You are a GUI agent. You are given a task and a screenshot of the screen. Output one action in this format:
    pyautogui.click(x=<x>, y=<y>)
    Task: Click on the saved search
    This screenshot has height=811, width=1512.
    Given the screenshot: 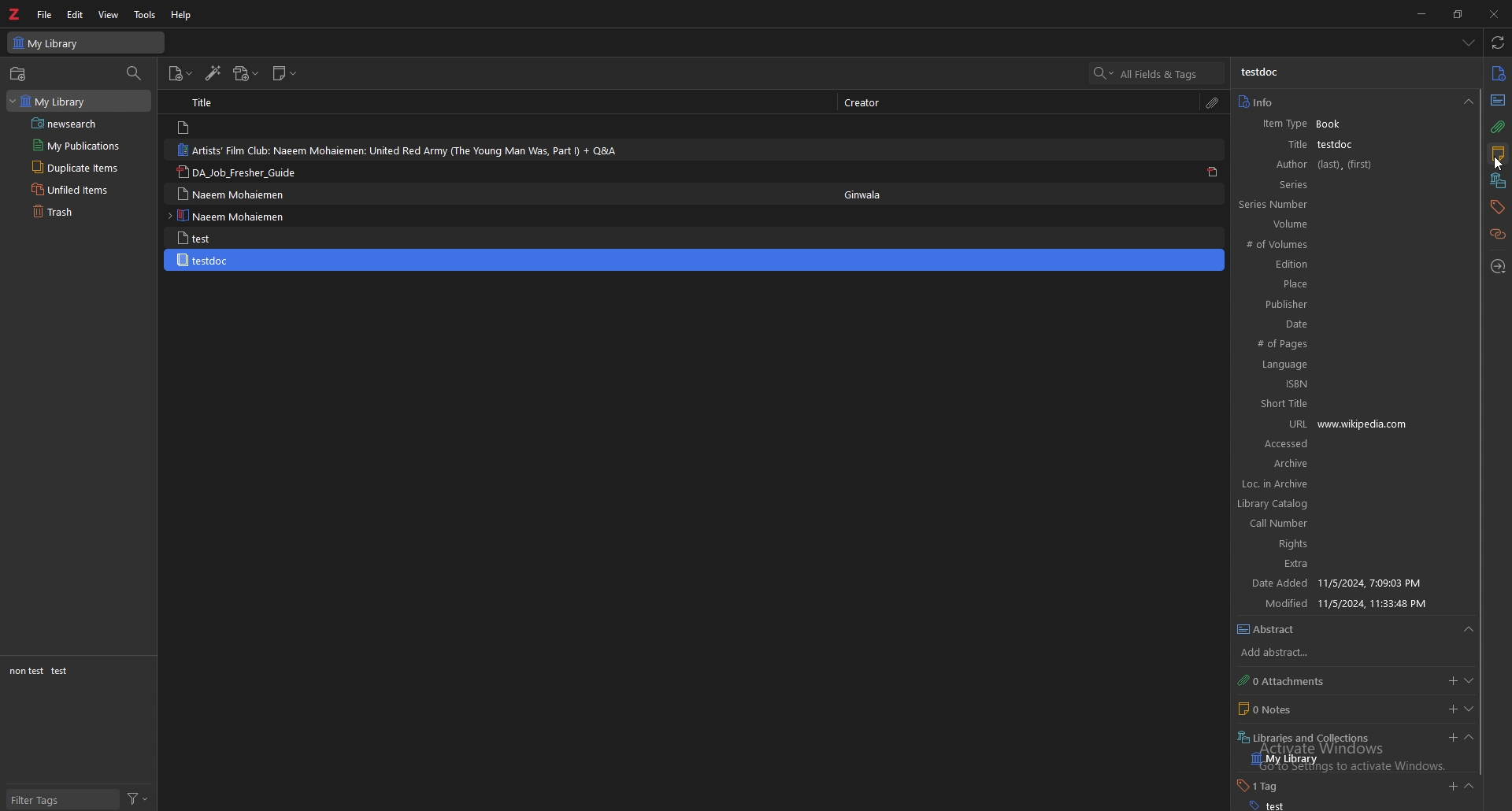 What is the action you would take?
    pyautogui.click(x=83, y=124)
    